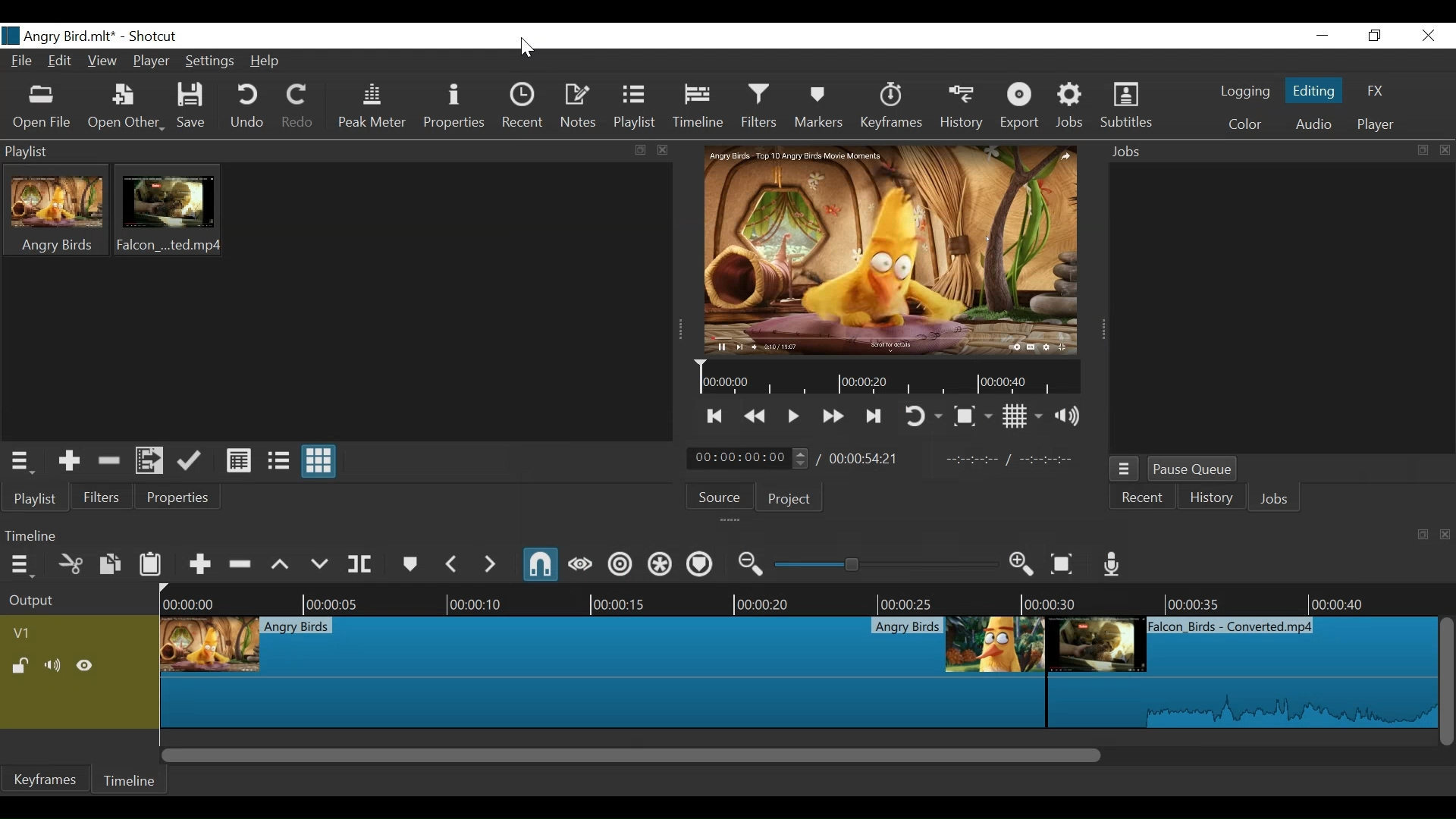  Describe the element at coordinates (24, 463) in the screenshot. I see `Playlist Panel` at that location.